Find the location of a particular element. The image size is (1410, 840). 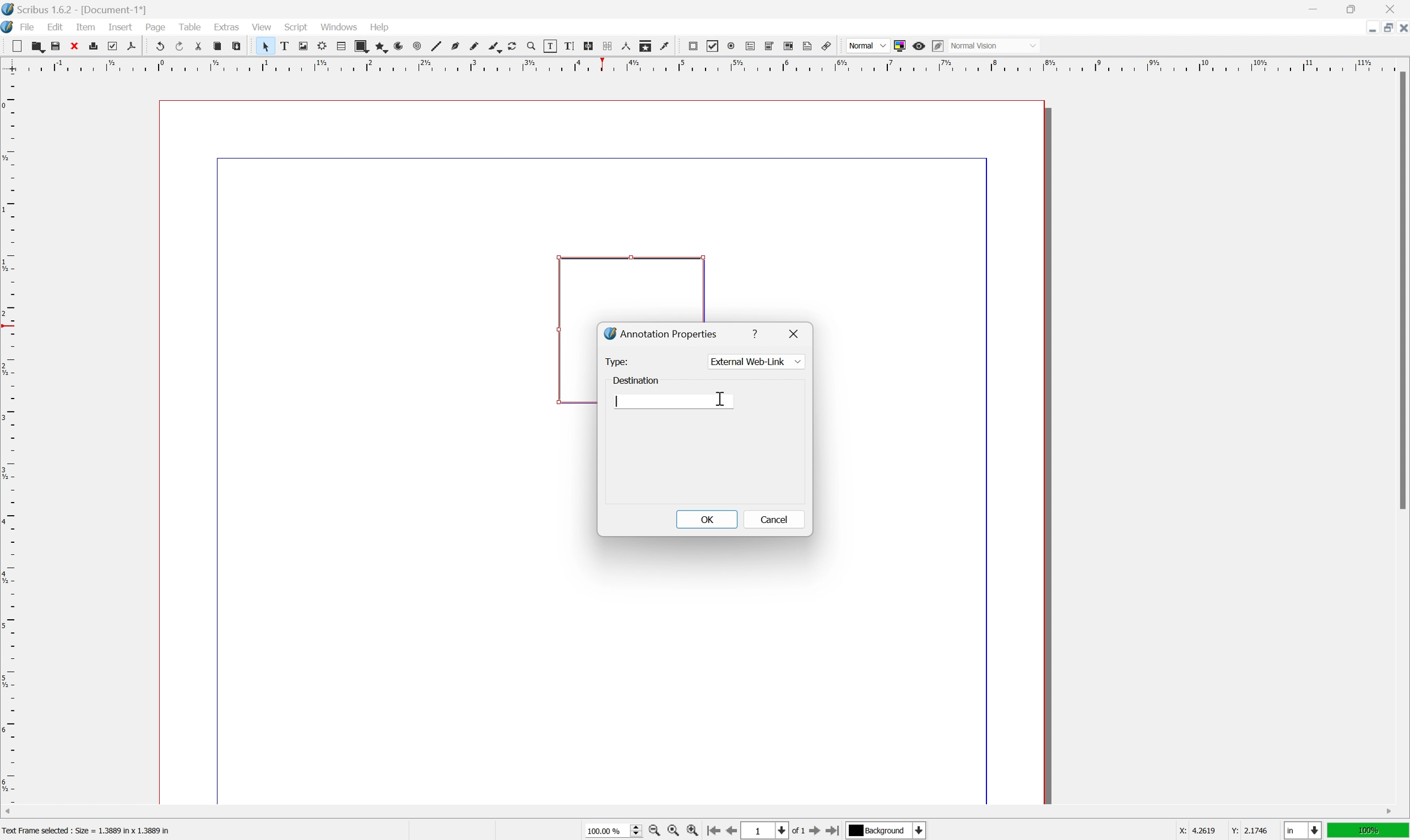

shape is located at coordinates (361, 46).